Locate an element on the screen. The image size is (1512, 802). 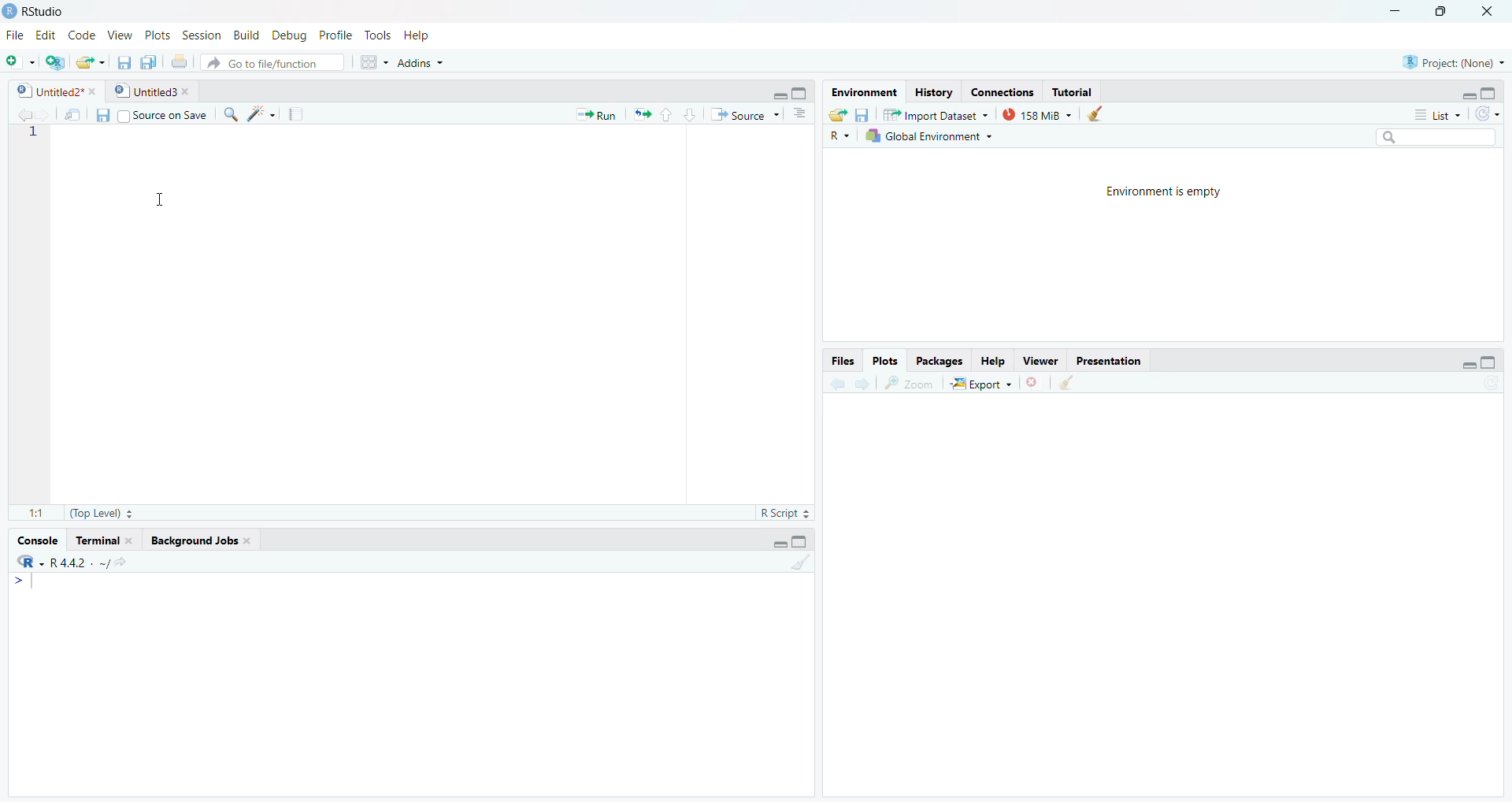
Background Jobs is located at coordinates (209, 539).